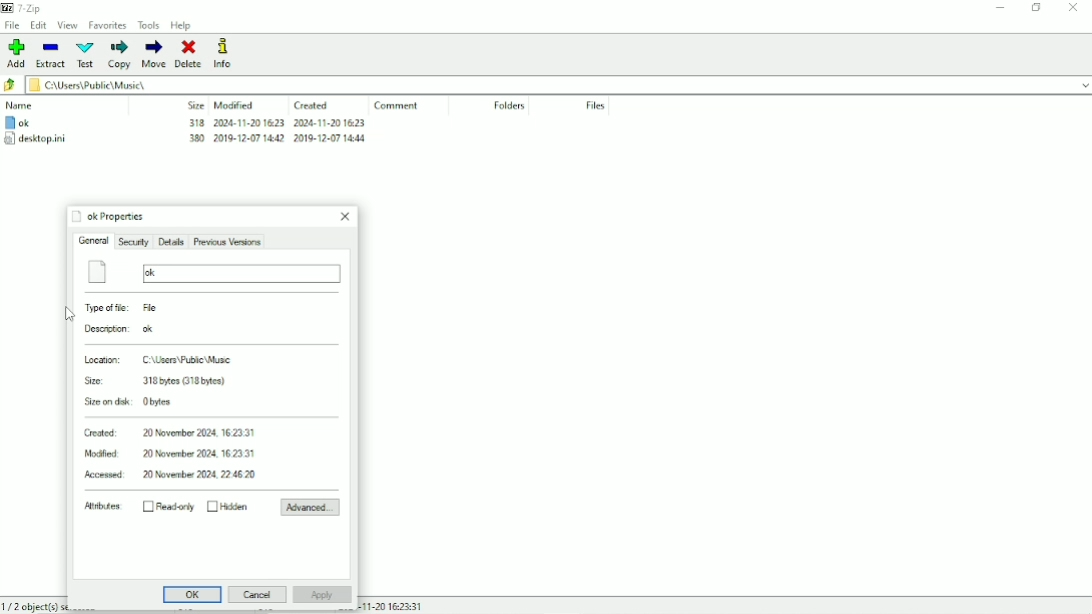  I want to click on Size, so click(196, 106).